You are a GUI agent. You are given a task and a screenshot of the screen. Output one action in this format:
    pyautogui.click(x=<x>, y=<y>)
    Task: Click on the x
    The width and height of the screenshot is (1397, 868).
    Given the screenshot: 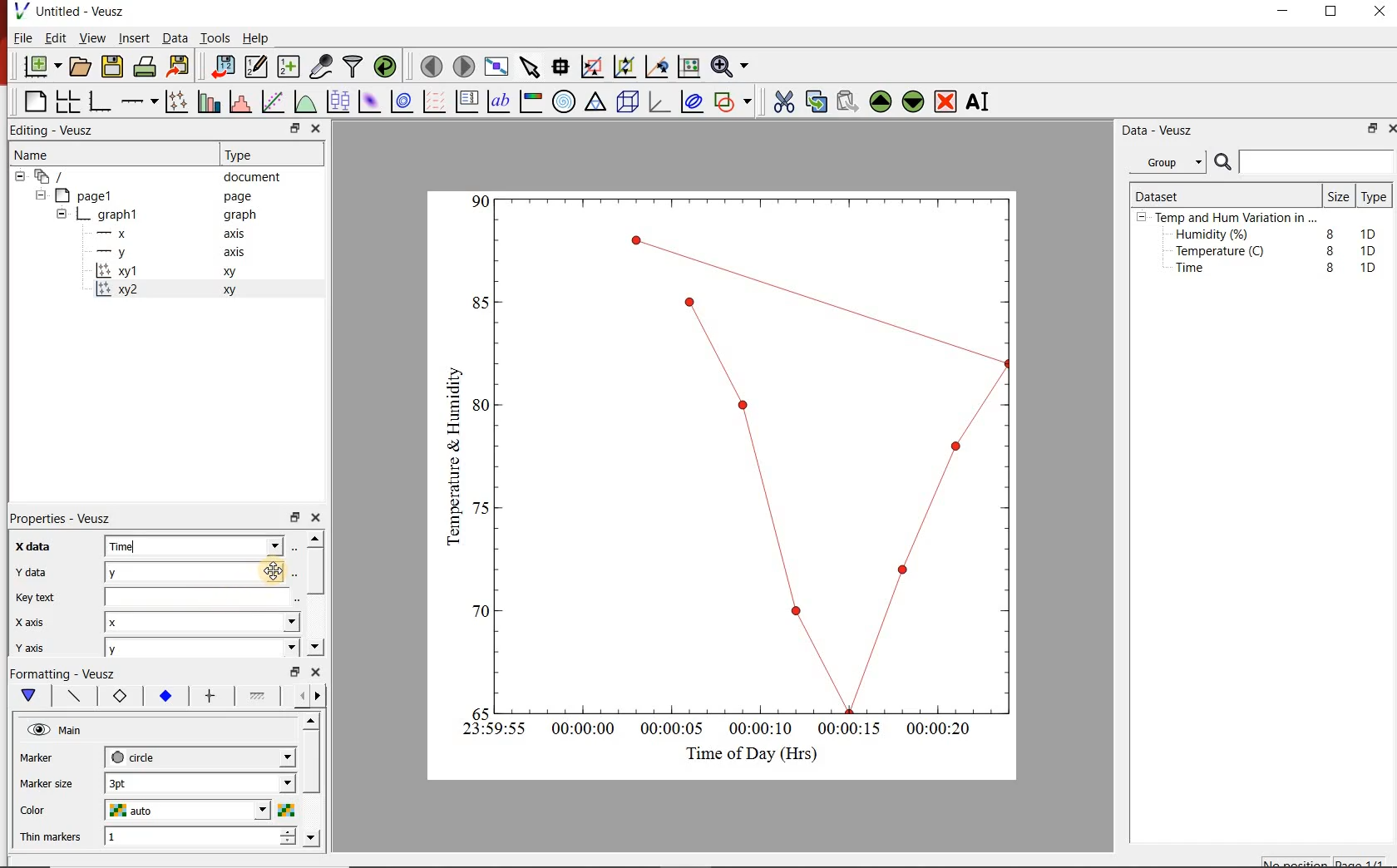 What is the action you would take?
    pyautogui.click(x=138, y=623)
    